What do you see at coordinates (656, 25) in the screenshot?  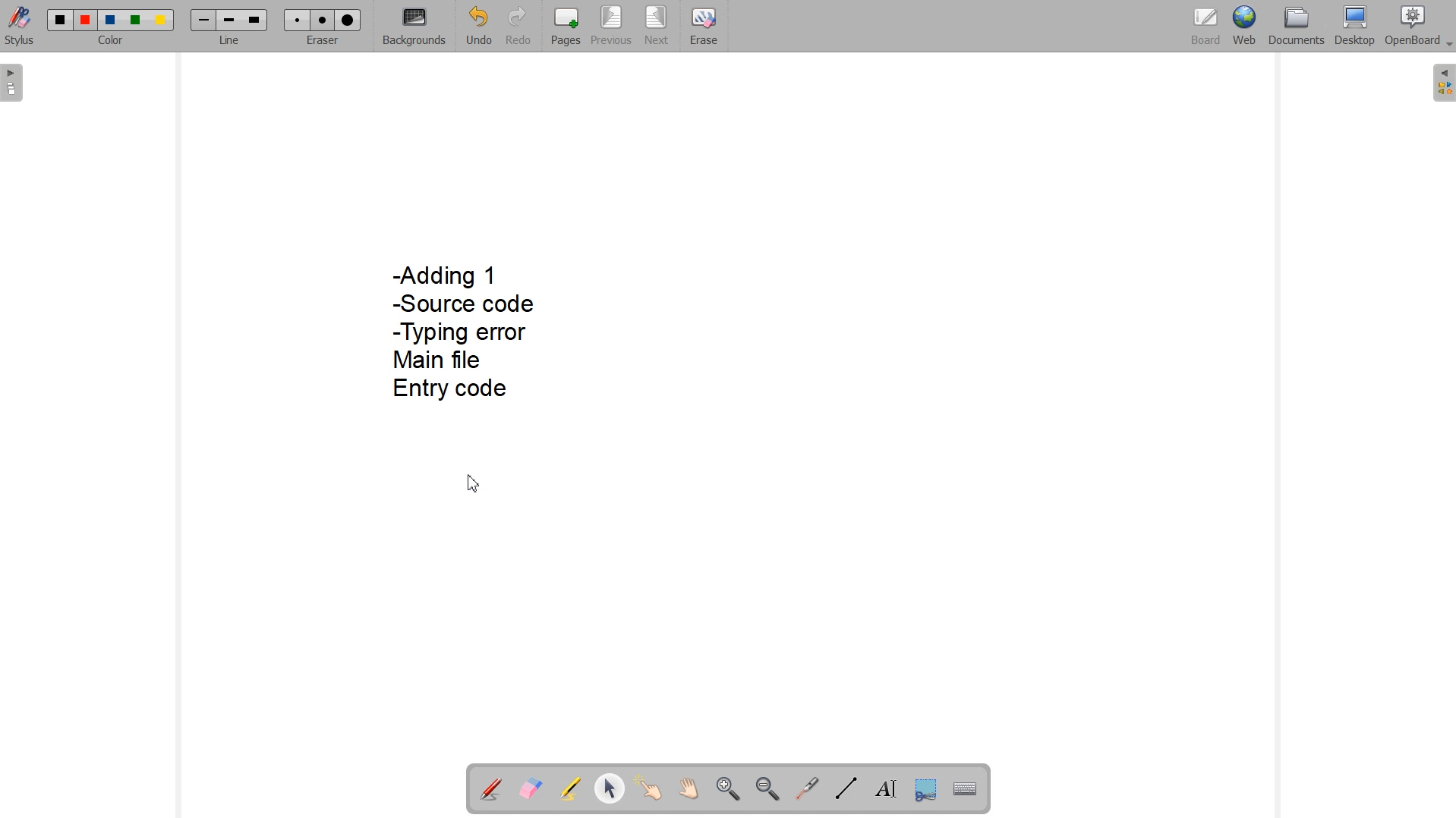 I see `Next` at bounding box center [656, 25].